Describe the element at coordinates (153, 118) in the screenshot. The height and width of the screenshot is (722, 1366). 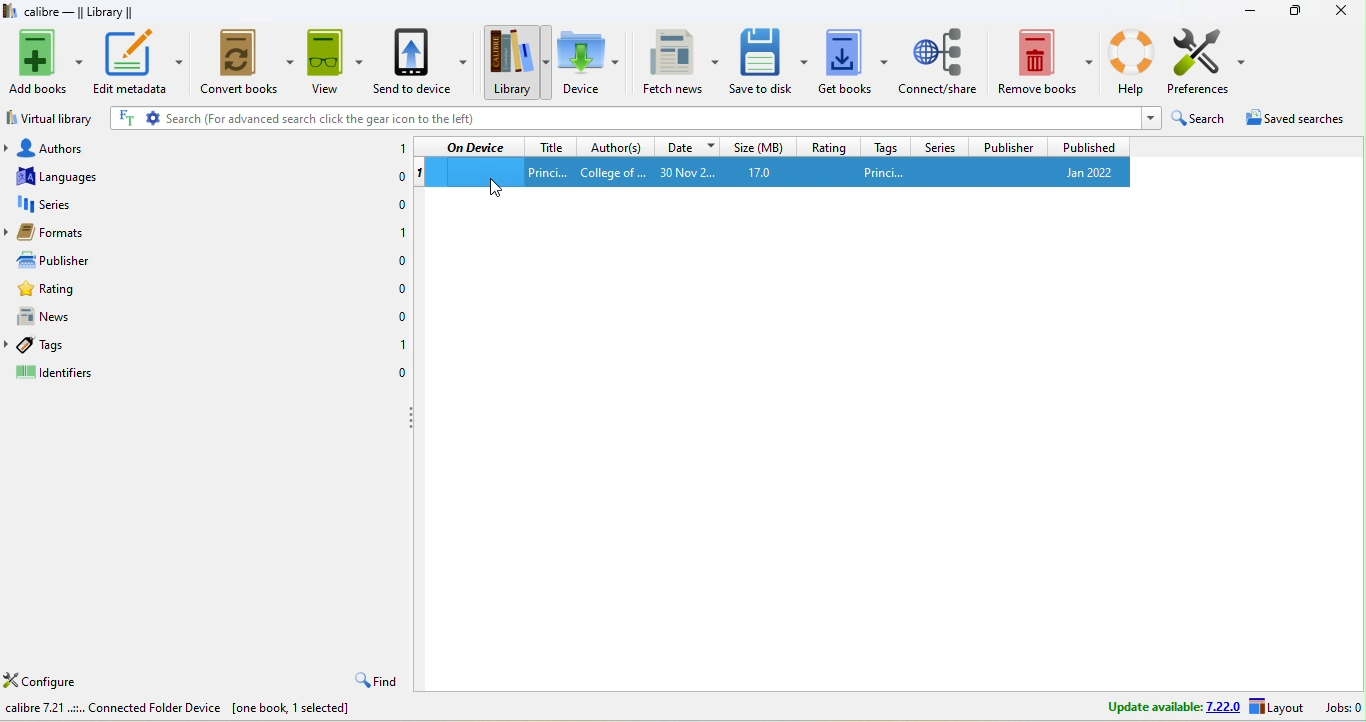
I see `settings` at that location.